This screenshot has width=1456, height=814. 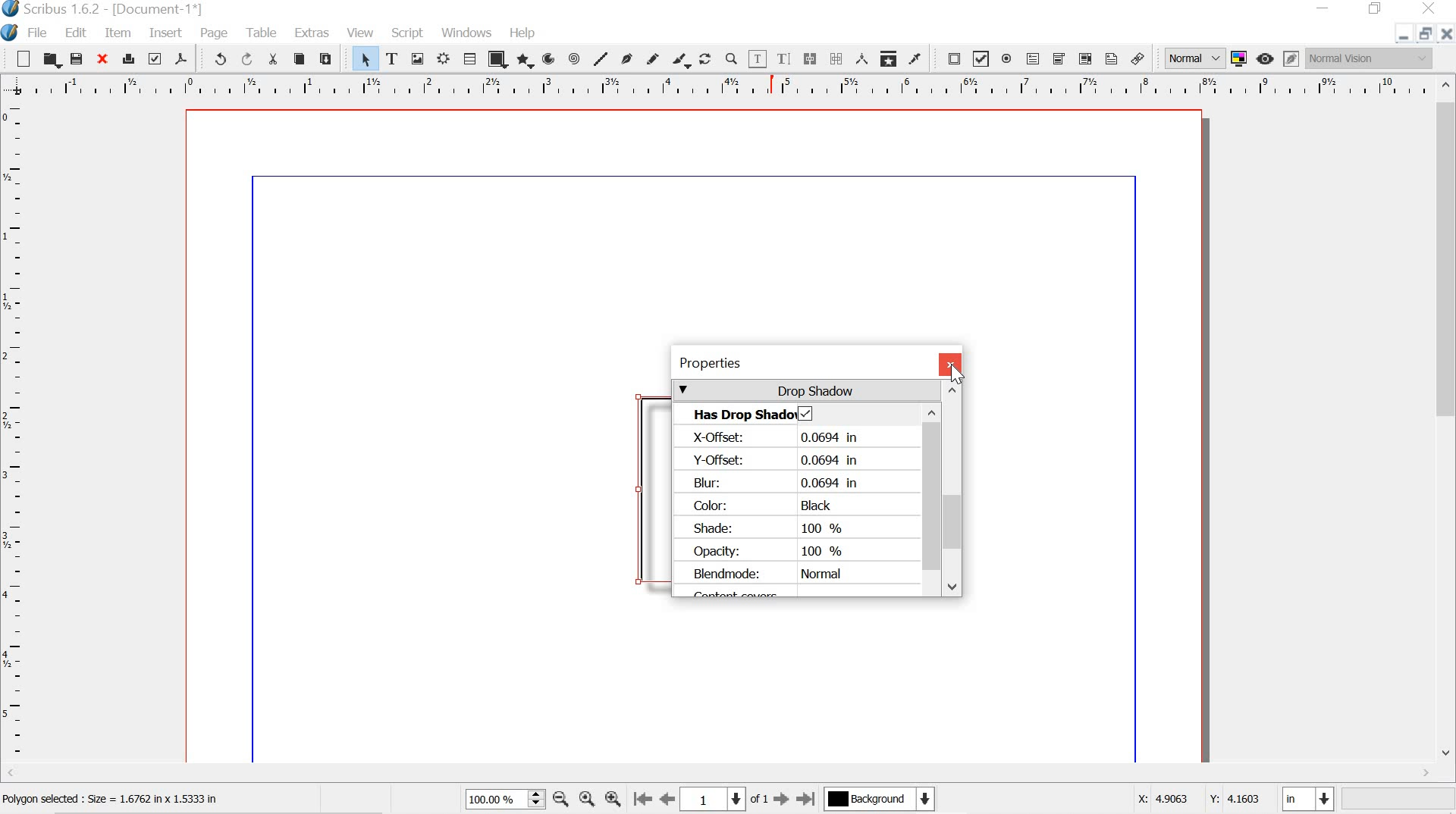 I want to click on zoom in and out, so click(x=537, y=799).